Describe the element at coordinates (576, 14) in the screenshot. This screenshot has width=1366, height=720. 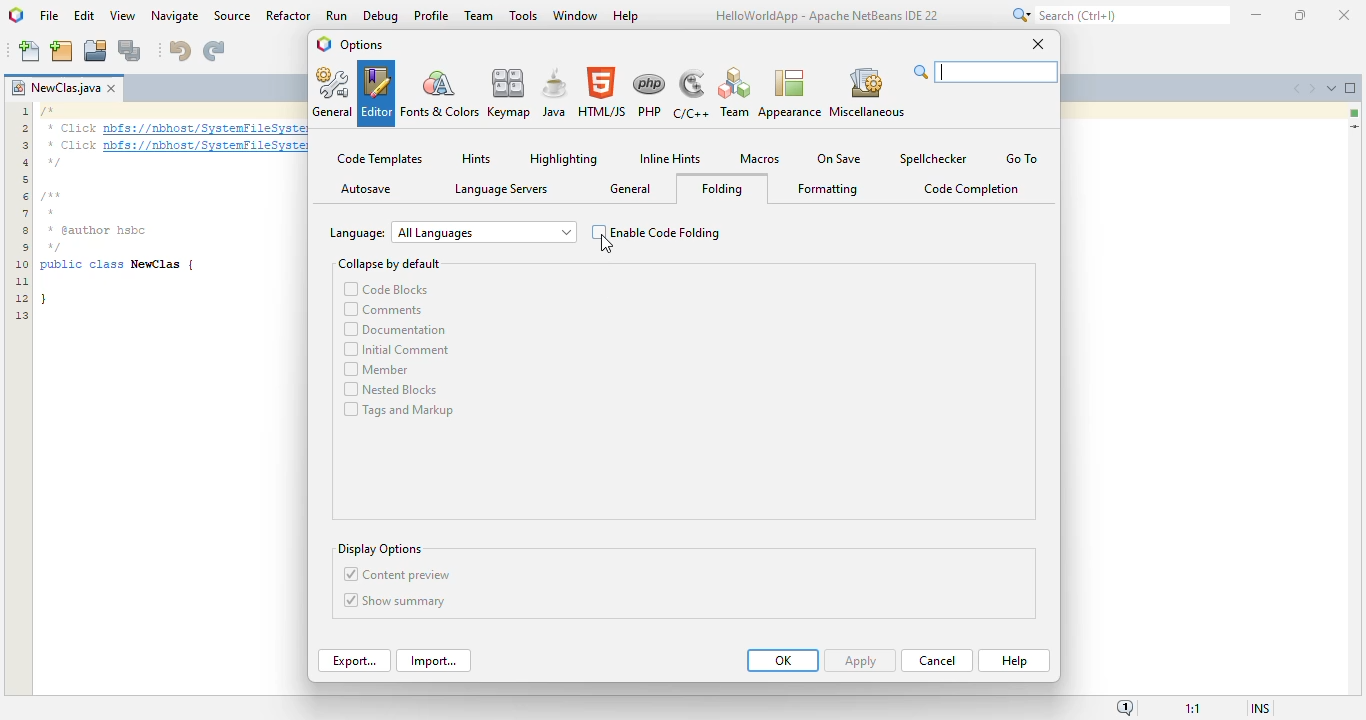
I see `window` at that location.